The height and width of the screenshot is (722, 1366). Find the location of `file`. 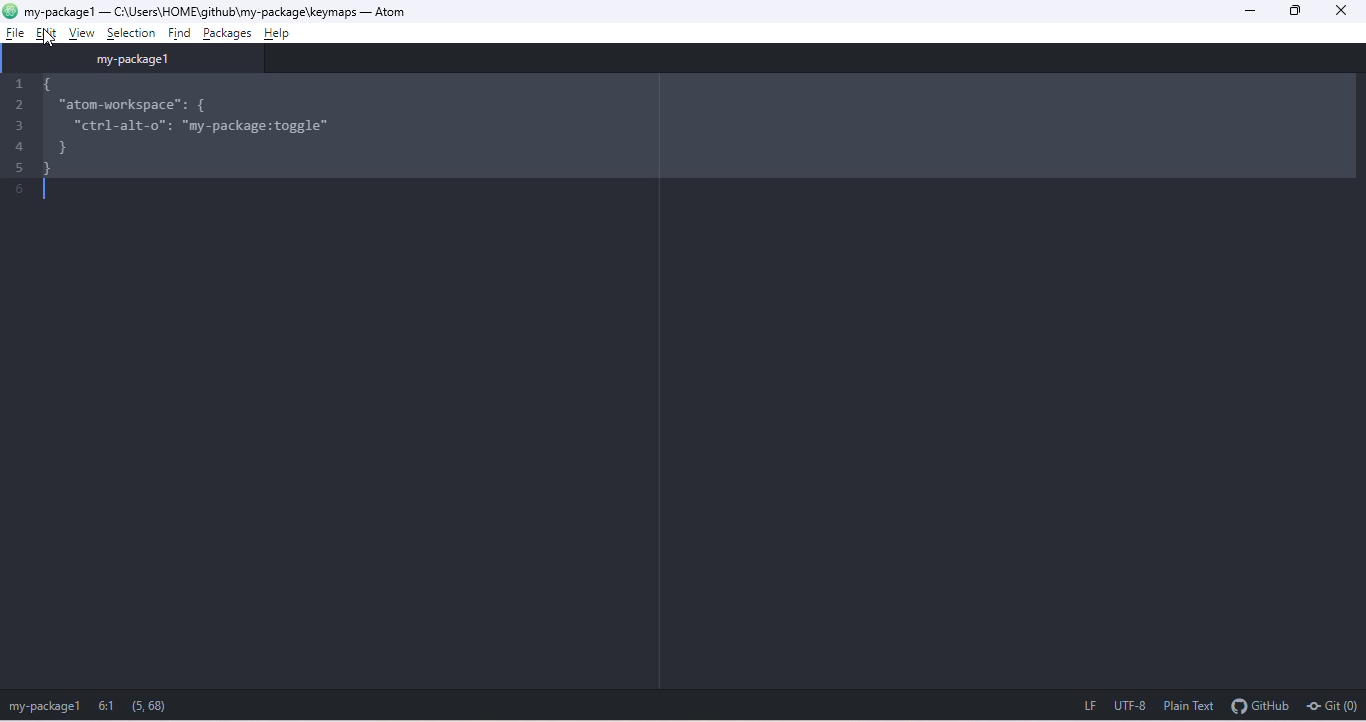

file is located at coordinates (12, 34).